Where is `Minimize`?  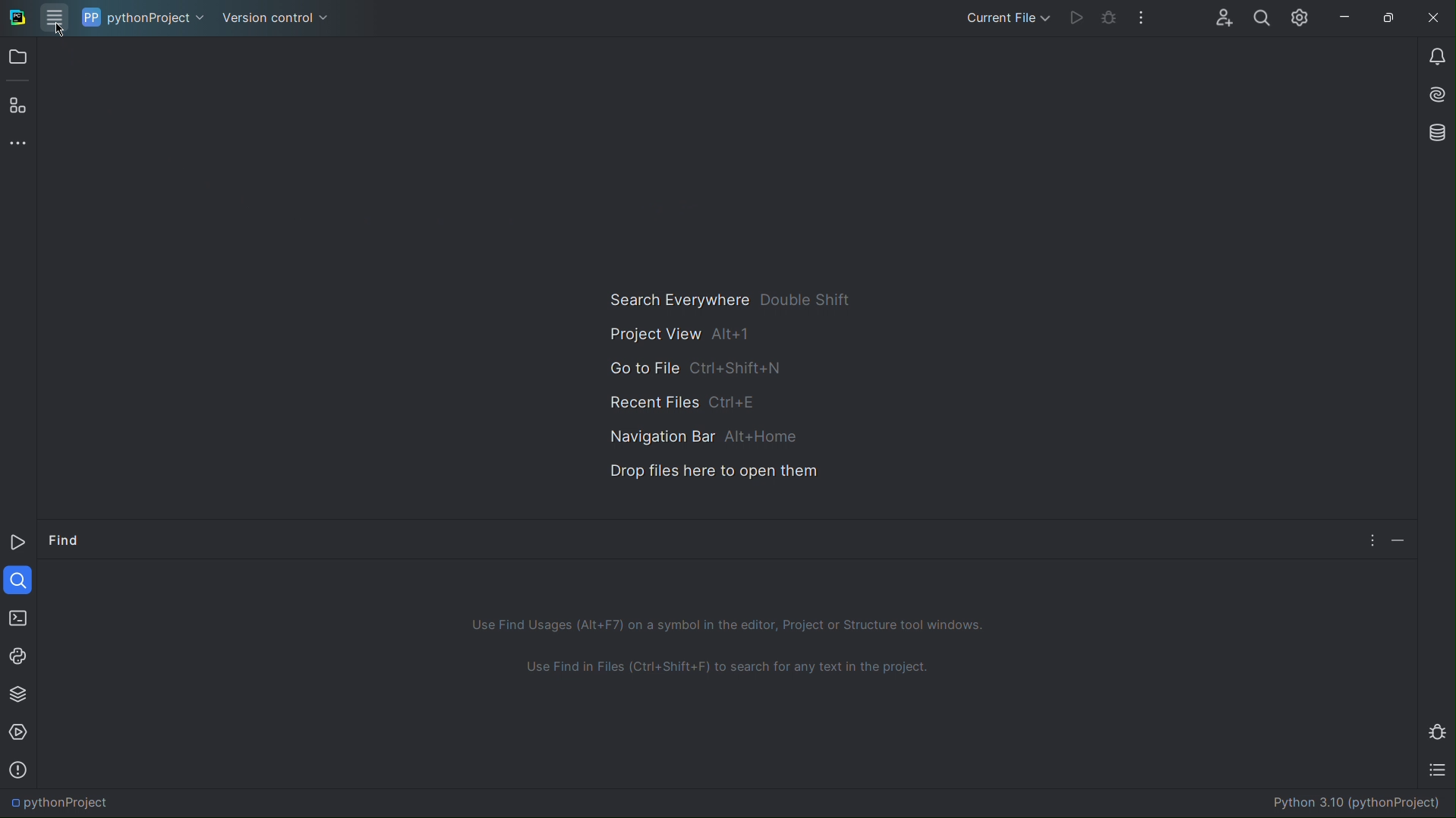
Minimize is located at coordinates (1346, 17).